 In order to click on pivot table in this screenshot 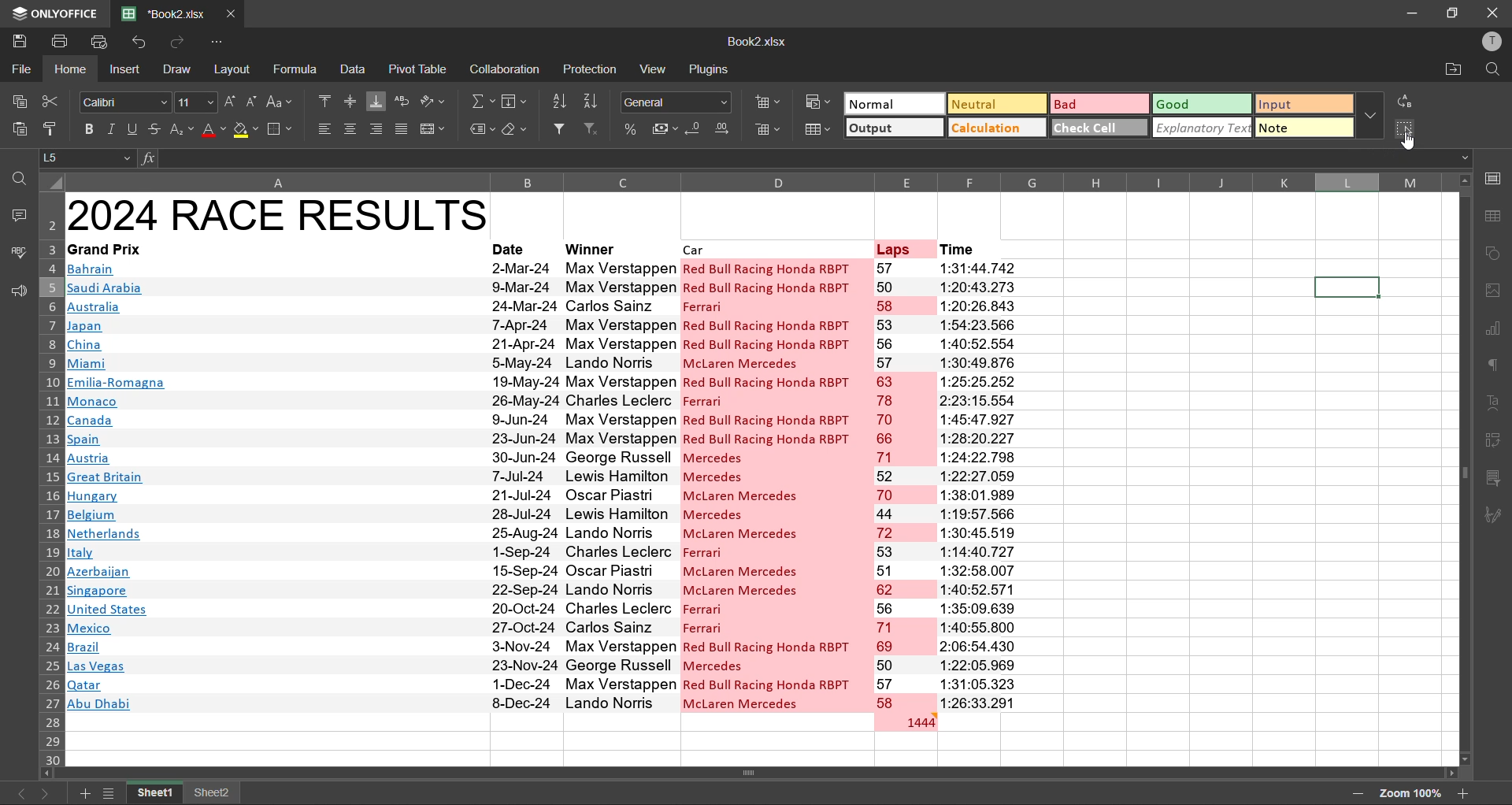, I will do `click(1494, 442)`.